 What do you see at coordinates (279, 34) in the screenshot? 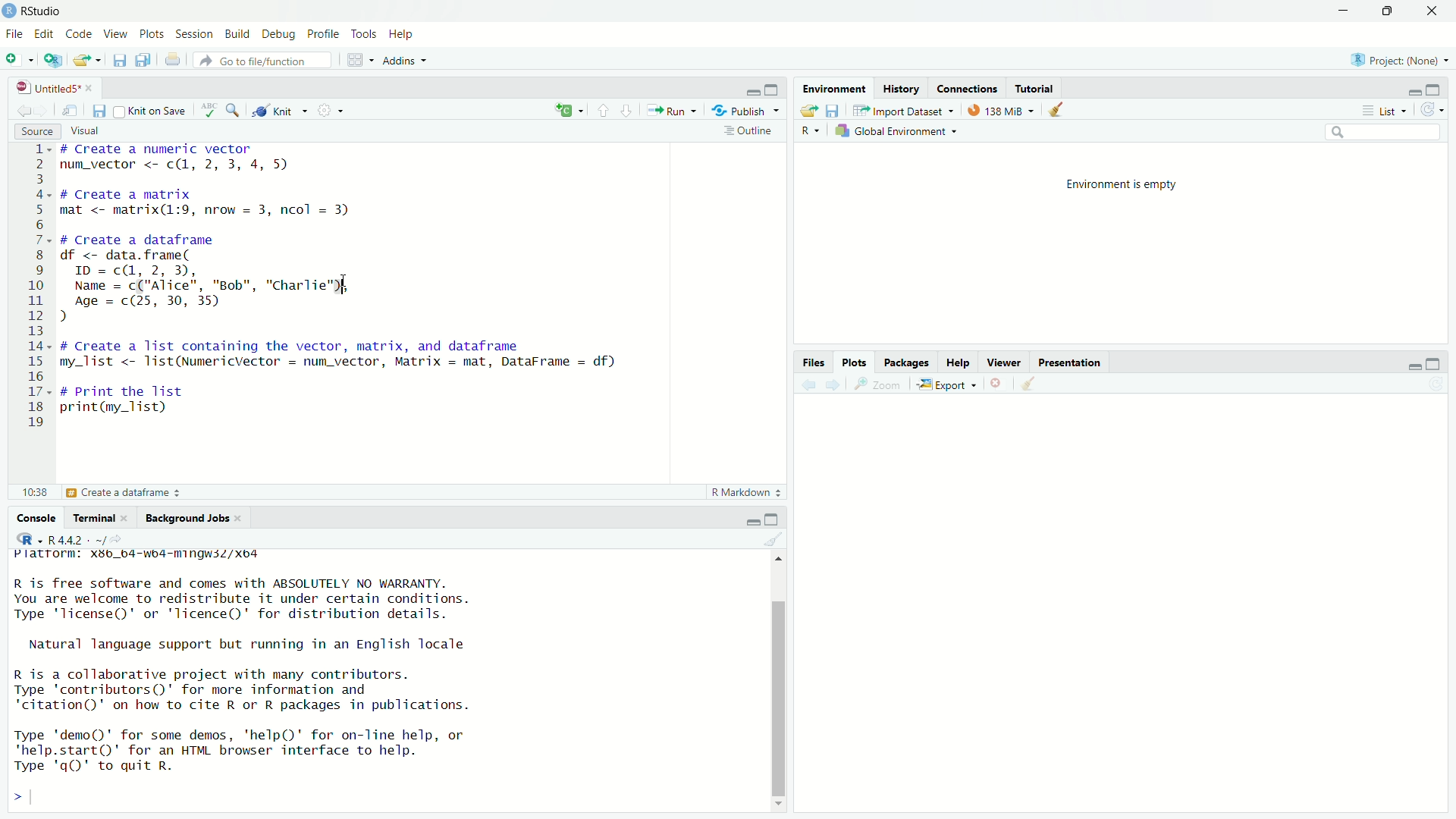
I see `Debug` at bounding box center [279, 34].